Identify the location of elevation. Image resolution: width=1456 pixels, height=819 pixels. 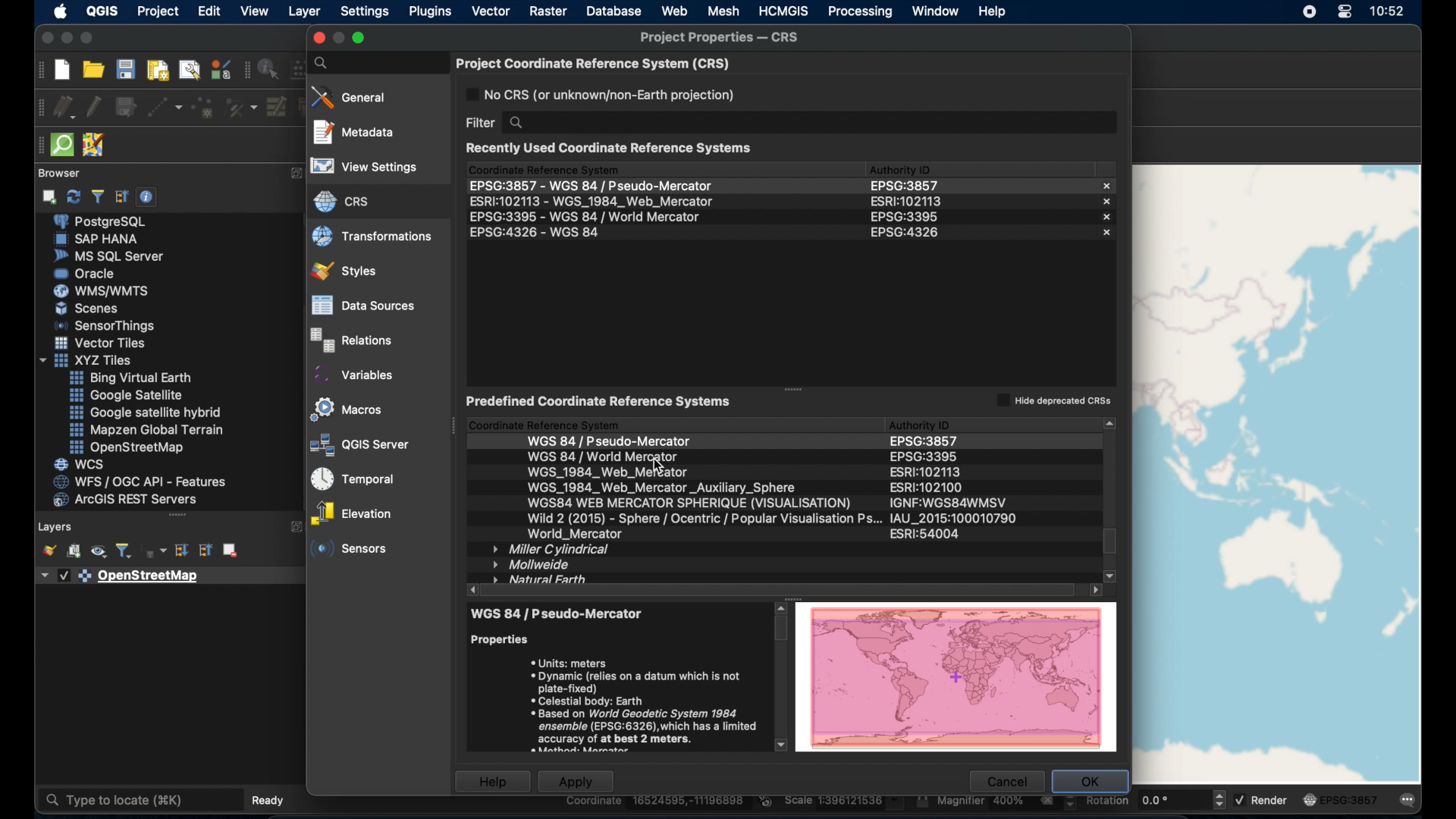
(350, 515).